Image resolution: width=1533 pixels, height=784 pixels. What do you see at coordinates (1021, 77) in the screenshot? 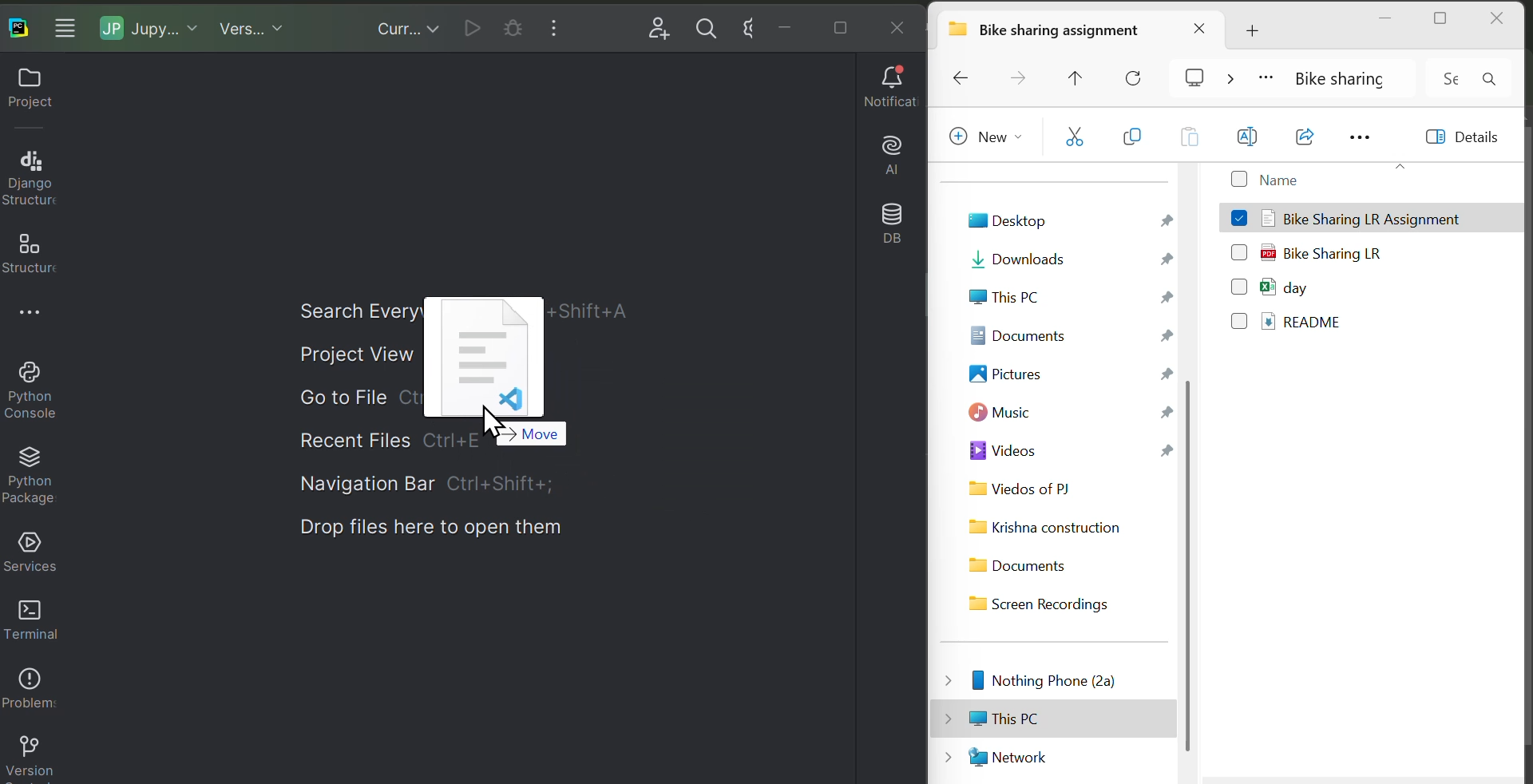
I see `Forward` at bounding box center [1021, 77].